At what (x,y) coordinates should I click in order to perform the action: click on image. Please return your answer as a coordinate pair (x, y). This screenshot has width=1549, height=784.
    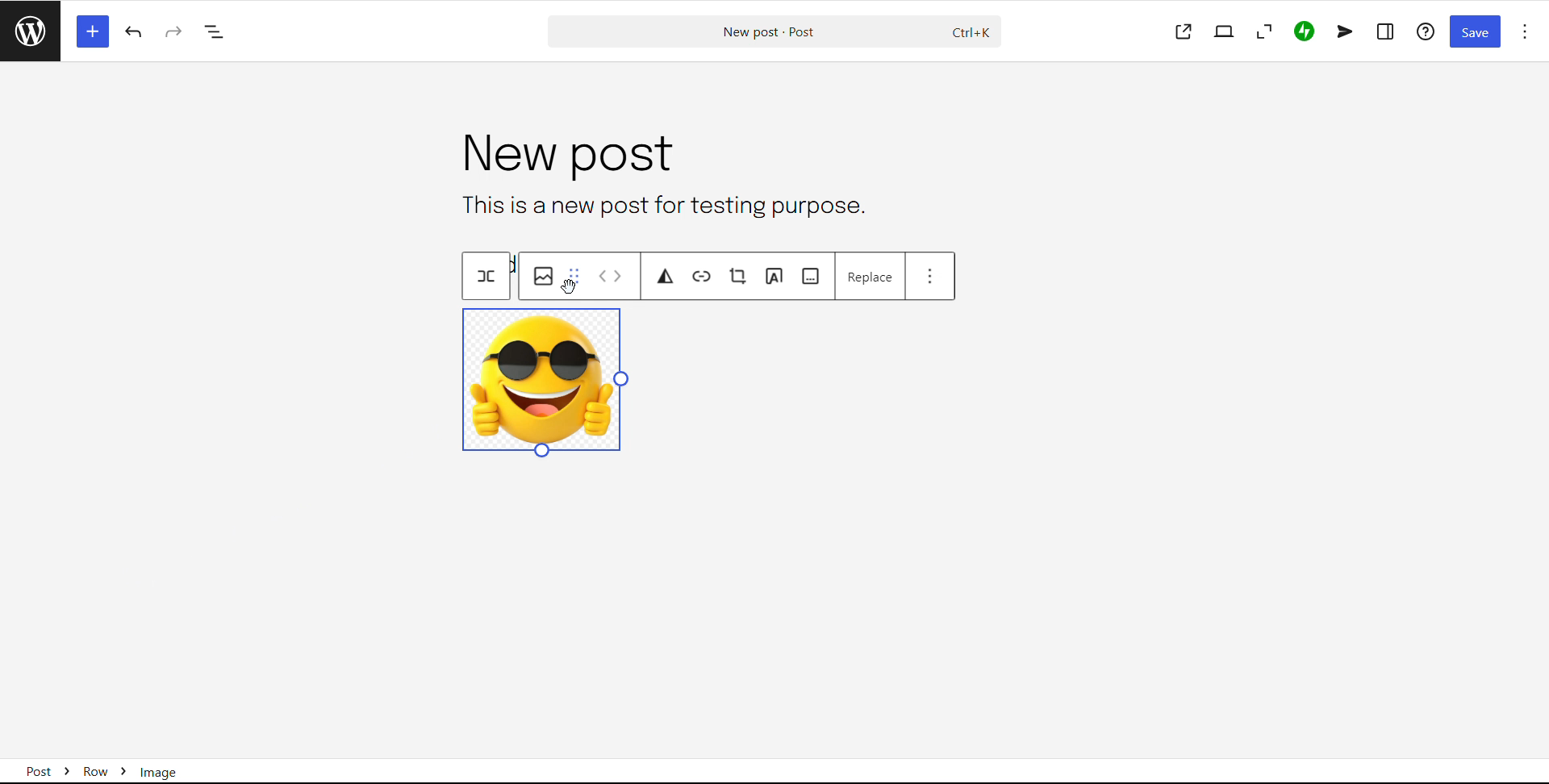
    Looking at the image, I should click on (543, 276).